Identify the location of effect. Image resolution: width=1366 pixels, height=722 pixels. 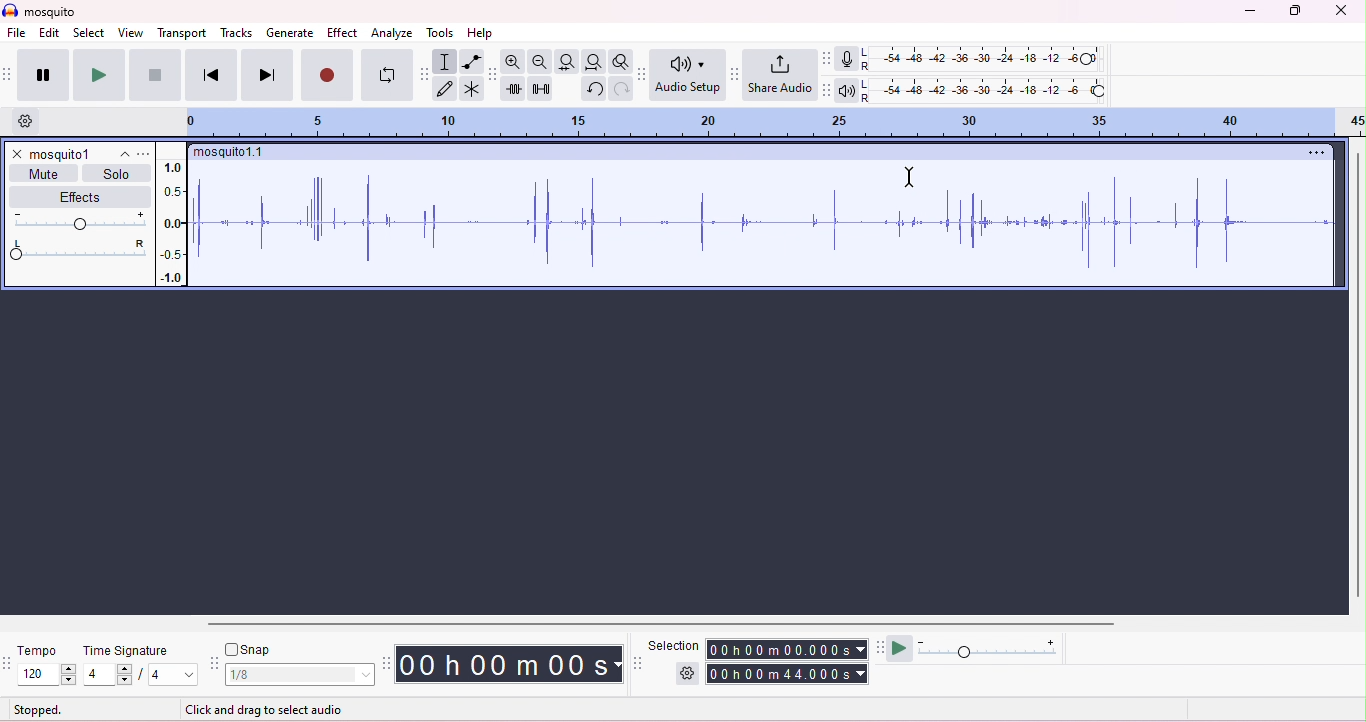
(343, 33).